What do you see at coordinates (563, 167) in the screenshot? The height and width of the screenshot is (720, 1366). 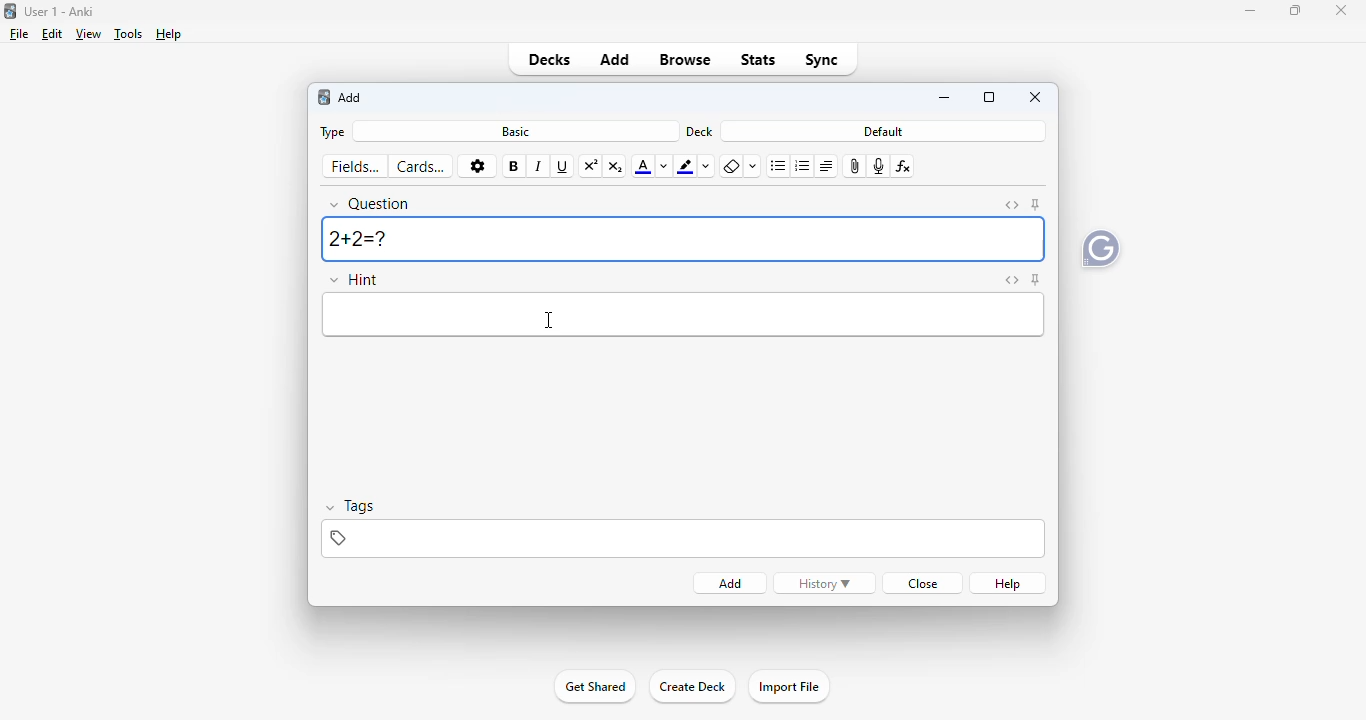 I see `underline` at bounding box center [563, 167].